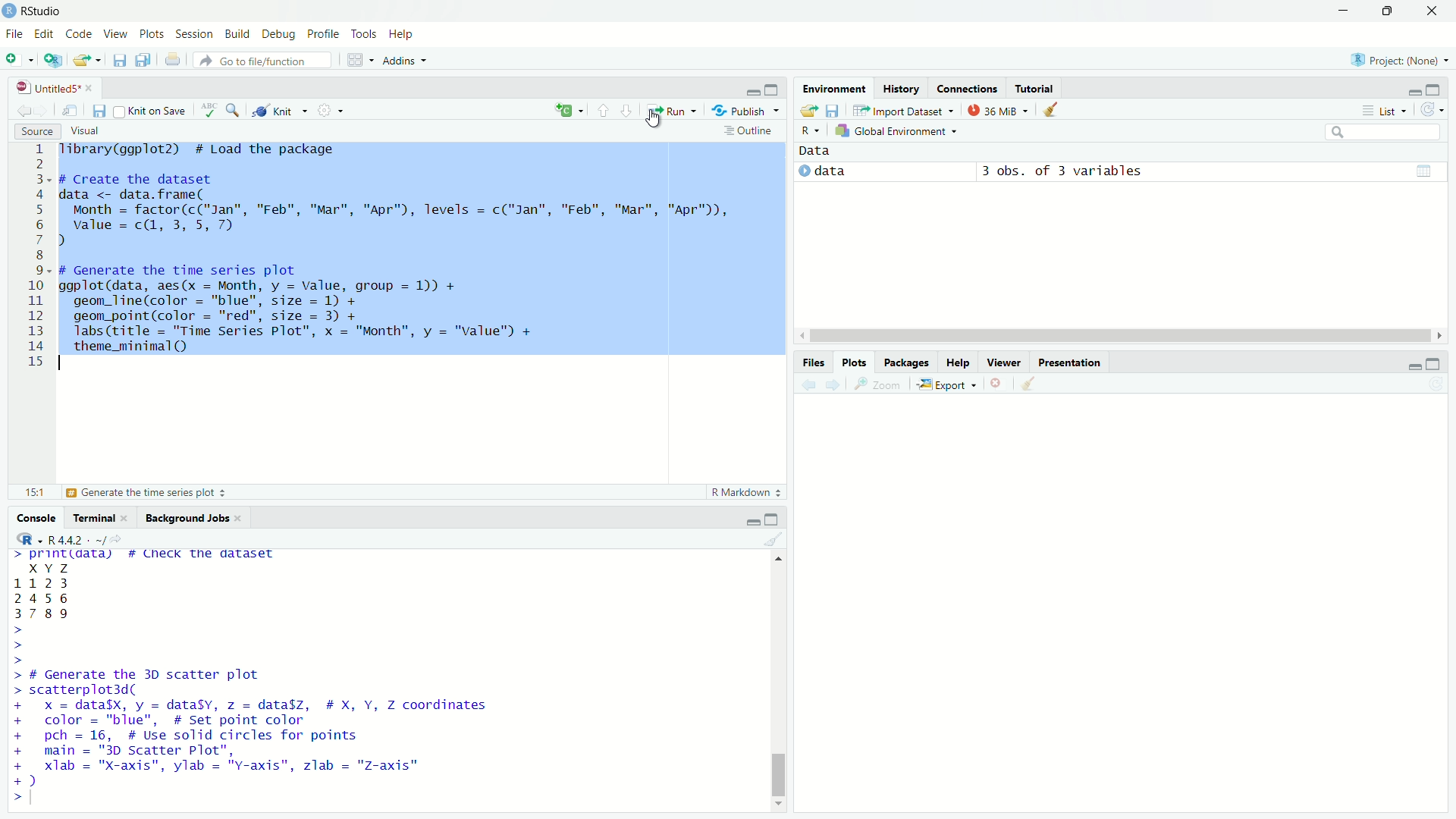 Image resolution: width=1456 pixels, height=819 pixels. Describe the element at coordinates (864, 171) in the screenshot. I see `data` at that location.